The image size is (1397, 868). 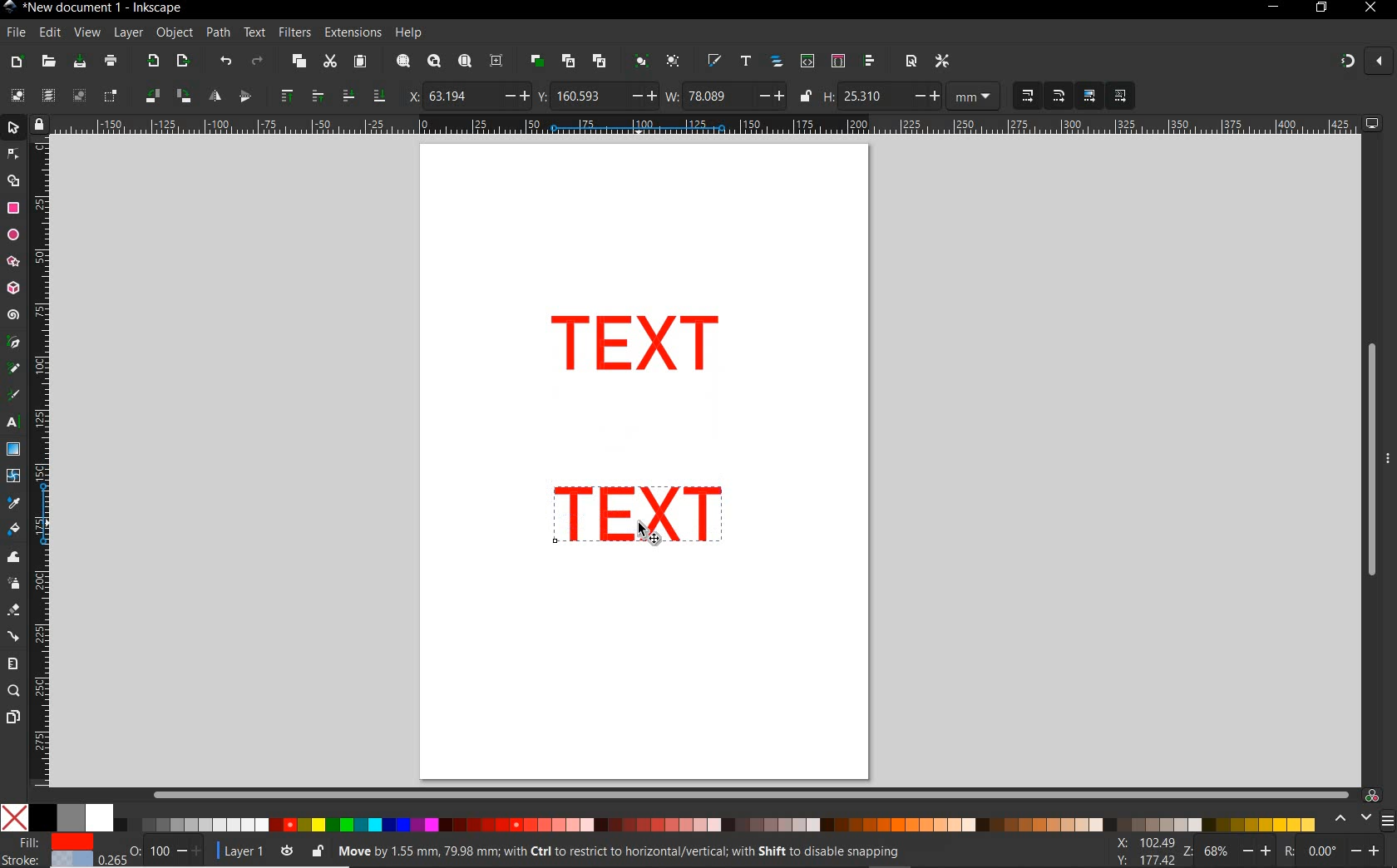 I want to click on open document properties, so click(x=911, y=61).